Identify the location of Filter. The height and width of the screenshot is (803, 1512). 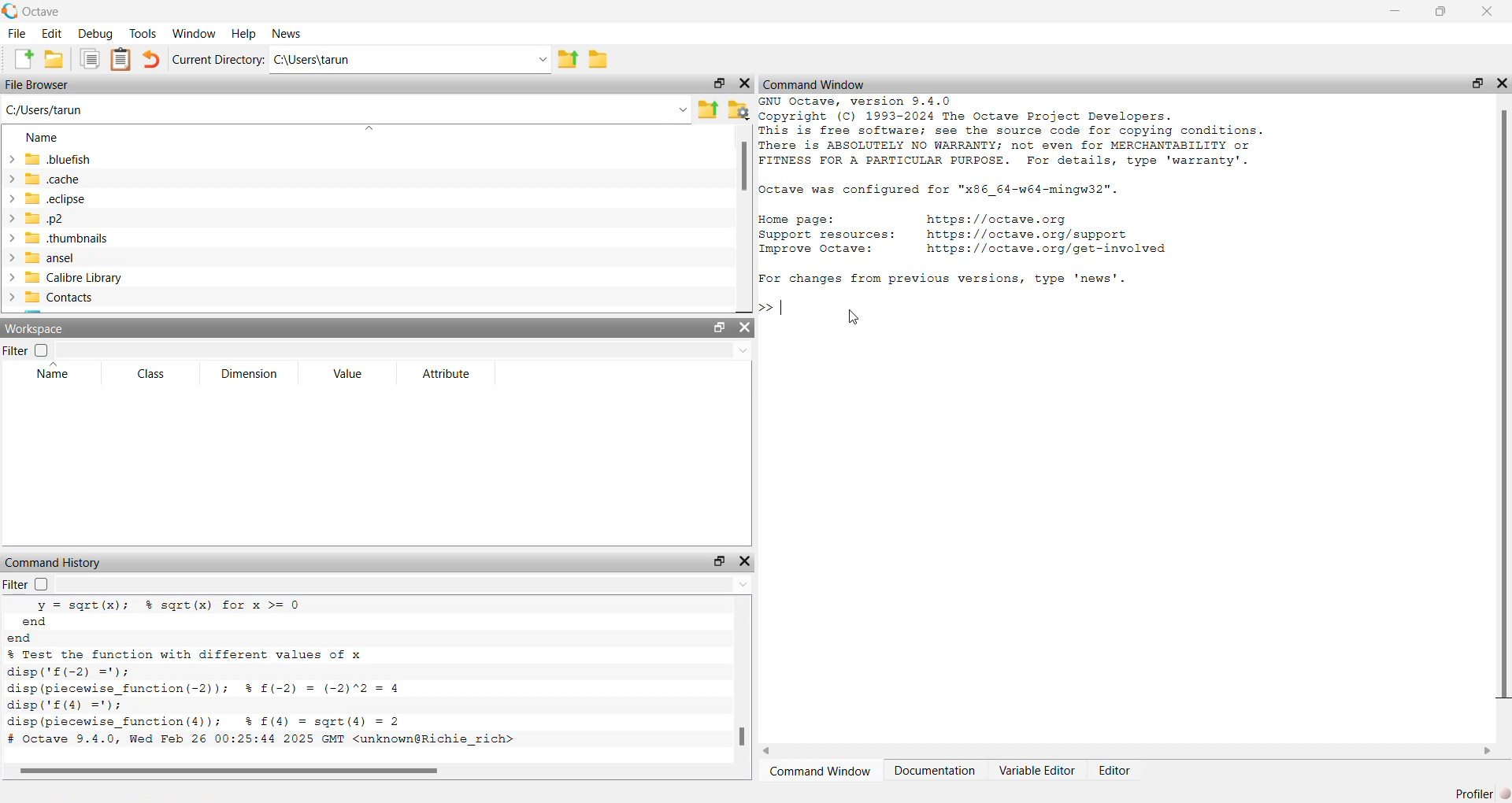
(27, 351).